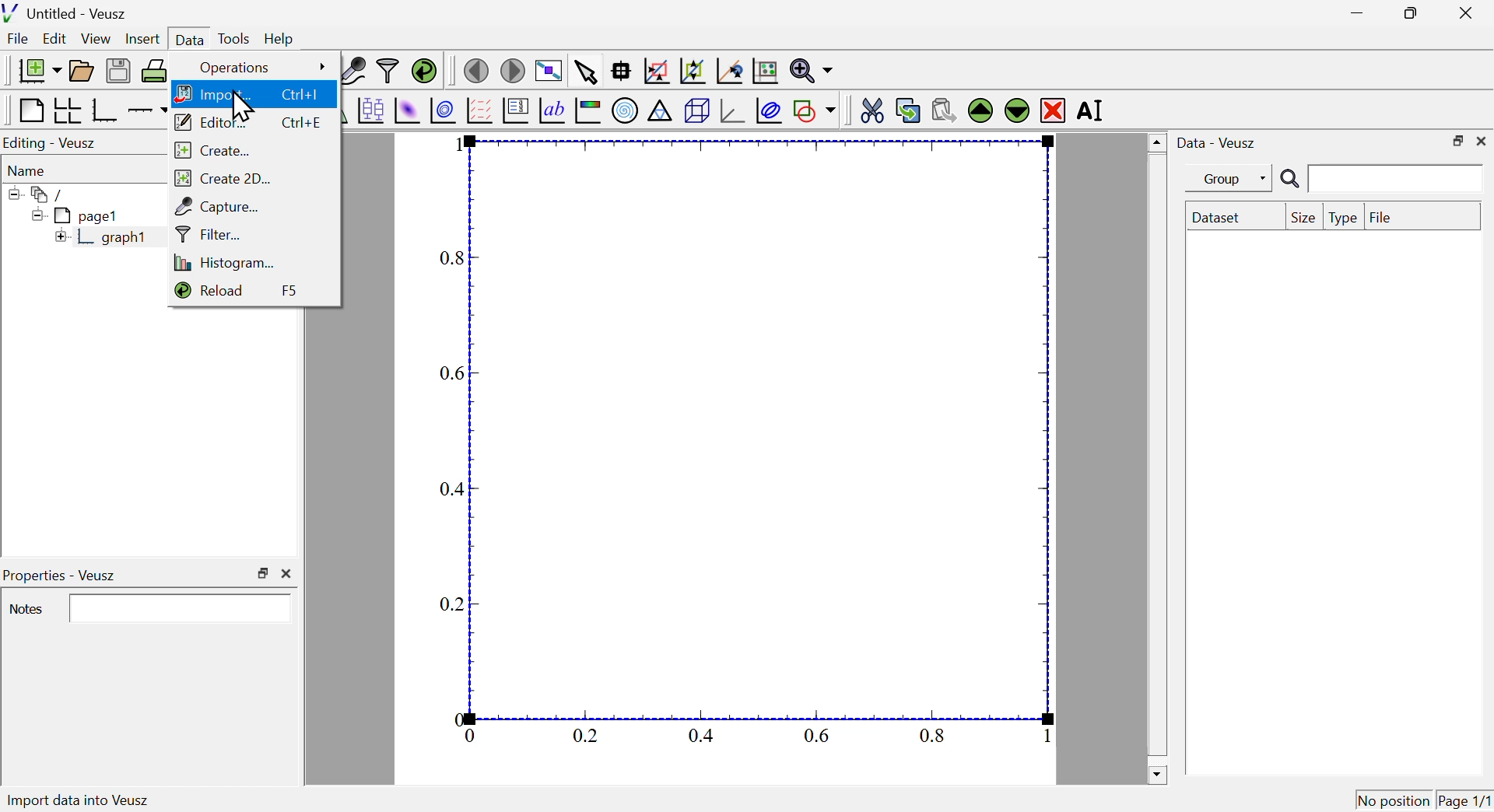 Image resolution: width=1494 pixels, height=812 pixels. What do you see at coordinates (290, 572) in the screenshot?
I see `close` at bounding box center [290, 572].